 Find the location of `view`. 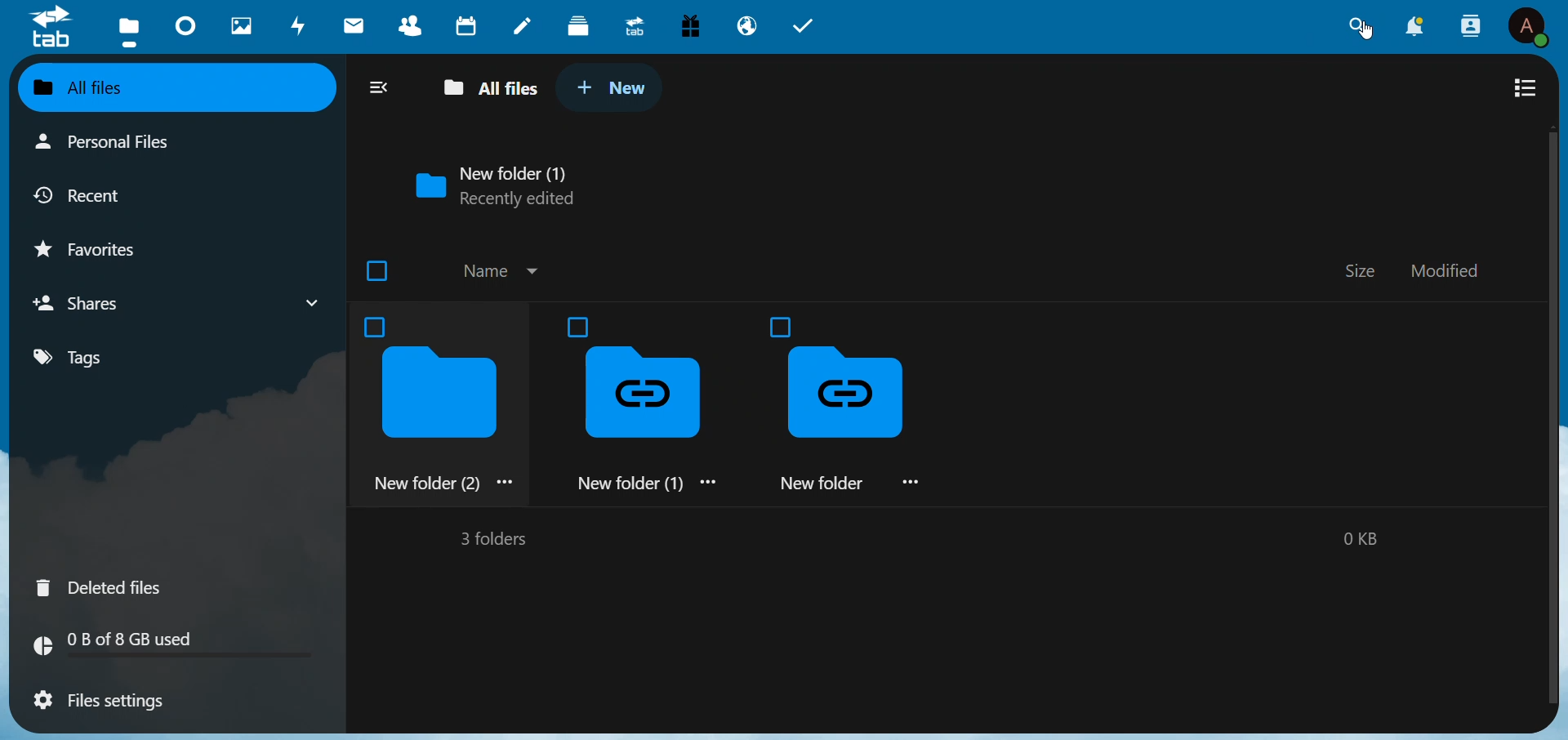

view is located at coordinates (1525, 87).